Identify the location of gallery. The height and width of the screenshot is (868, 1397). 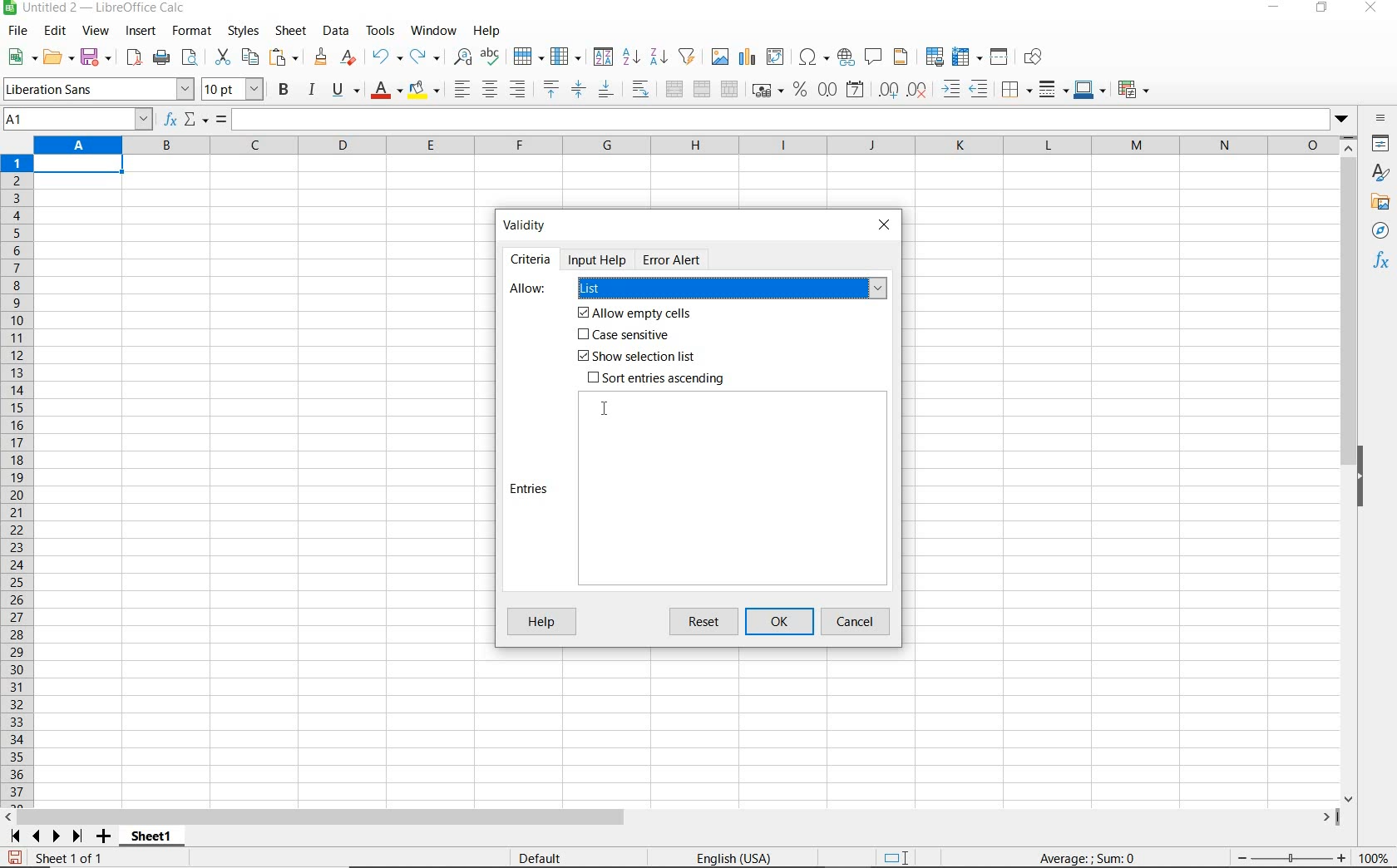
(1383, 203).